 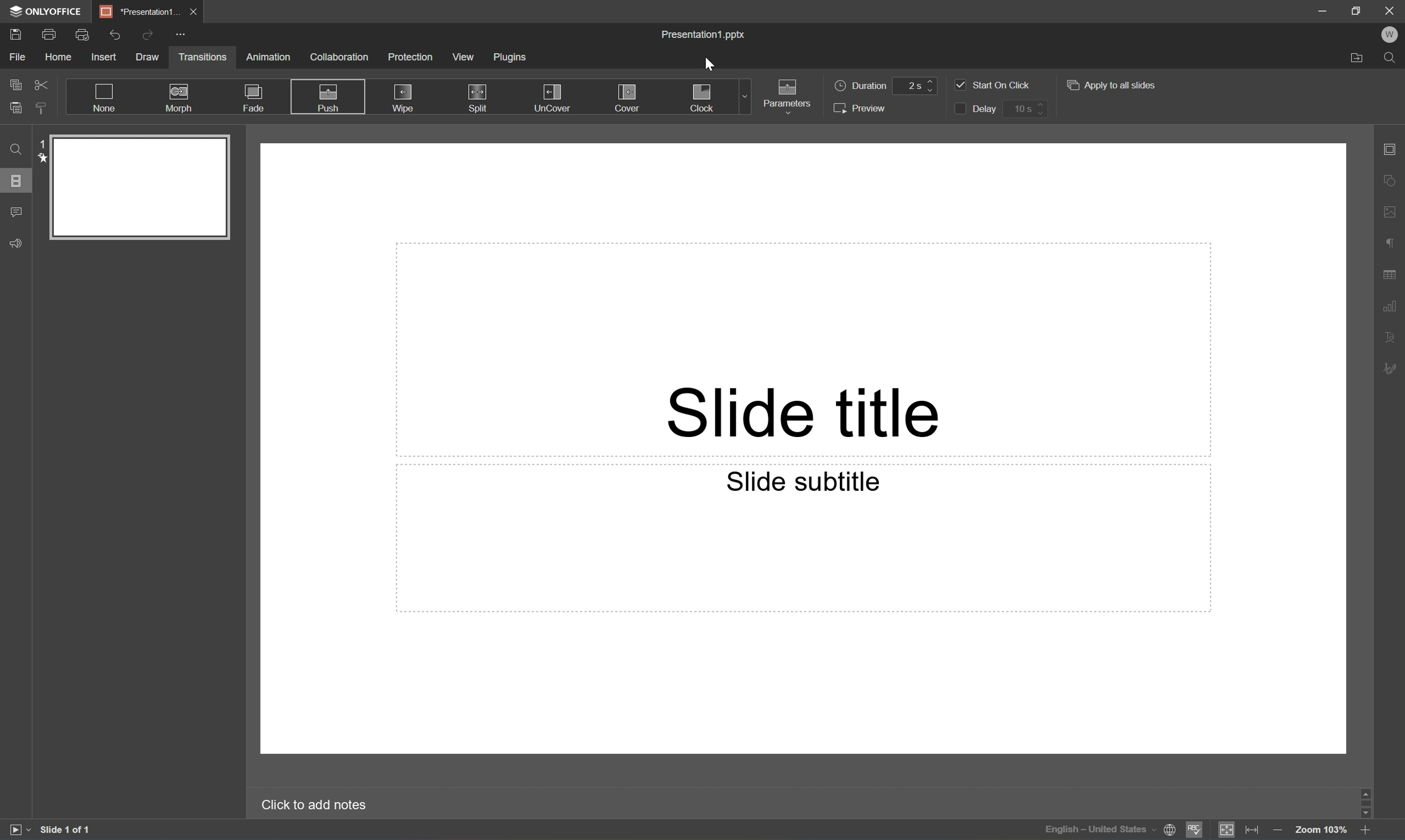 I want to click on Comments, so click(x=15, y=211).